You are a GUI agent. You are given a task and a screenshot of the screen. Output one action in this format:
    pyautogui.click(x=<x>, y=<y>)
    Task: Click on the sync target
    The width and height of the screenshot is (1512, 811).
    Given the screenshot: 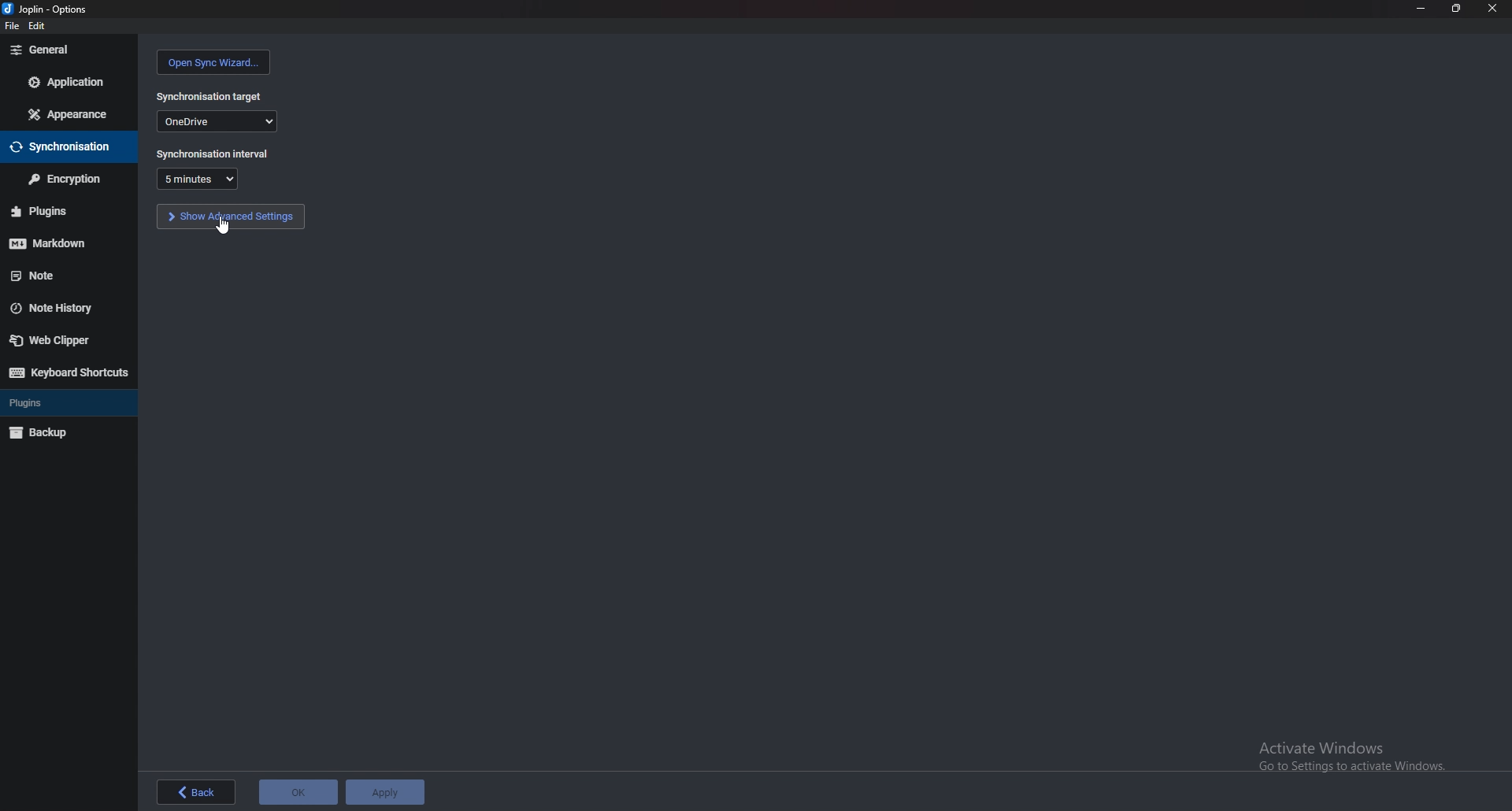 What is the action you would take?
    pyautogui.click(x=217, y=120)
    